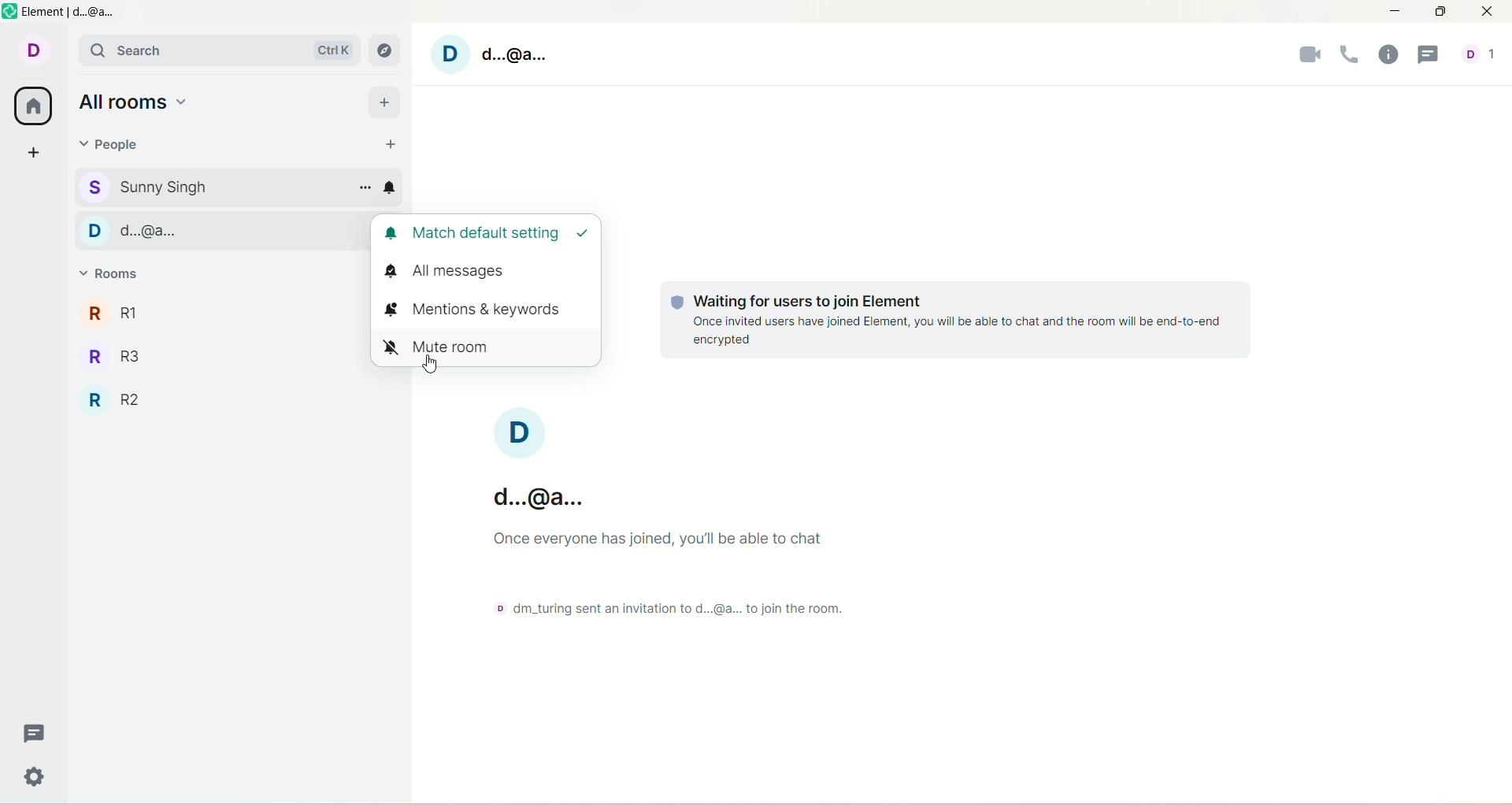 Image resolution: width=1512 pixels, height=805 pixels. I want to click on logo, so click(10, 12).